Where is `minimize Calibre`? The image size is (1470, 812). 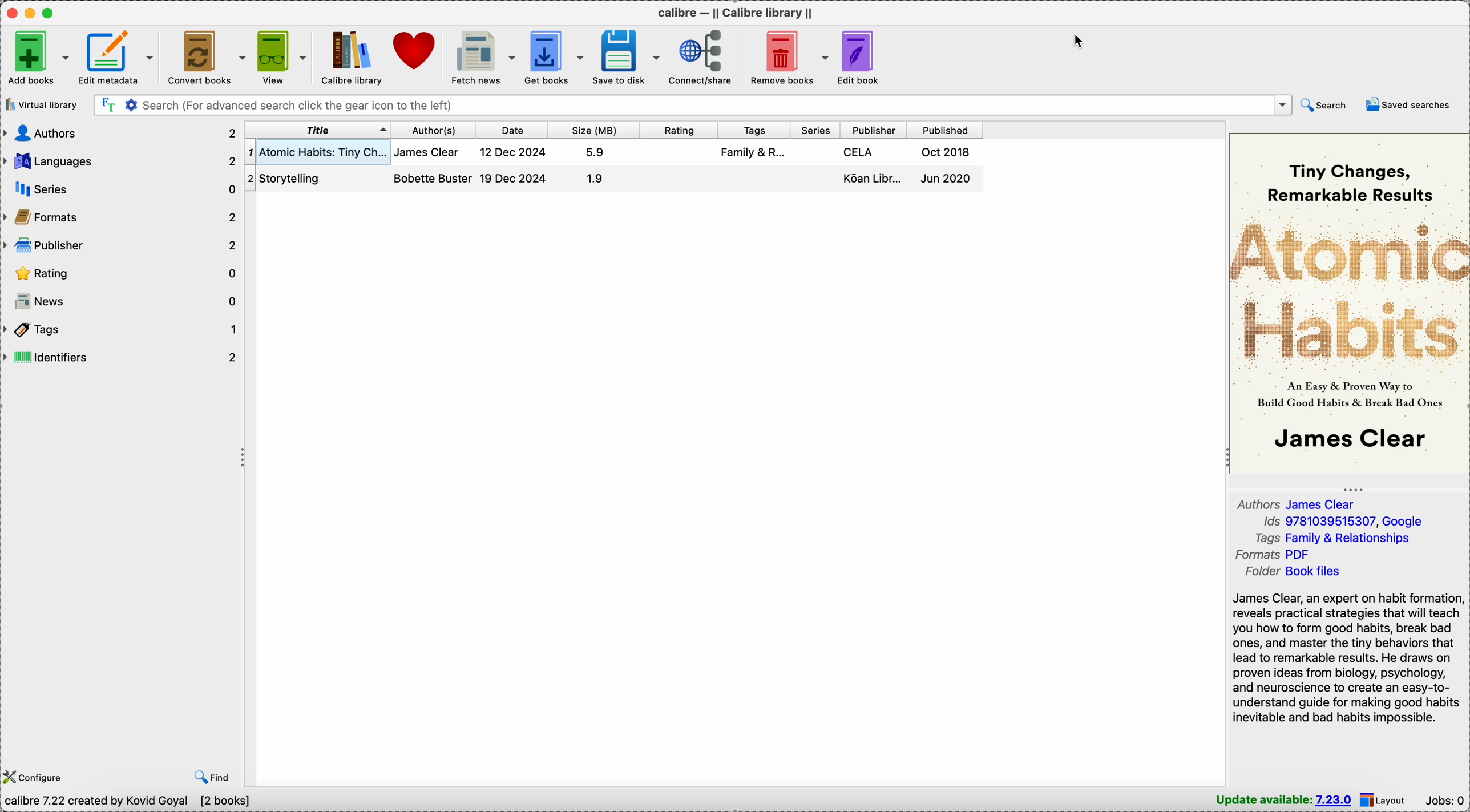
minimize Calibre is located at coordinates (32, 13).